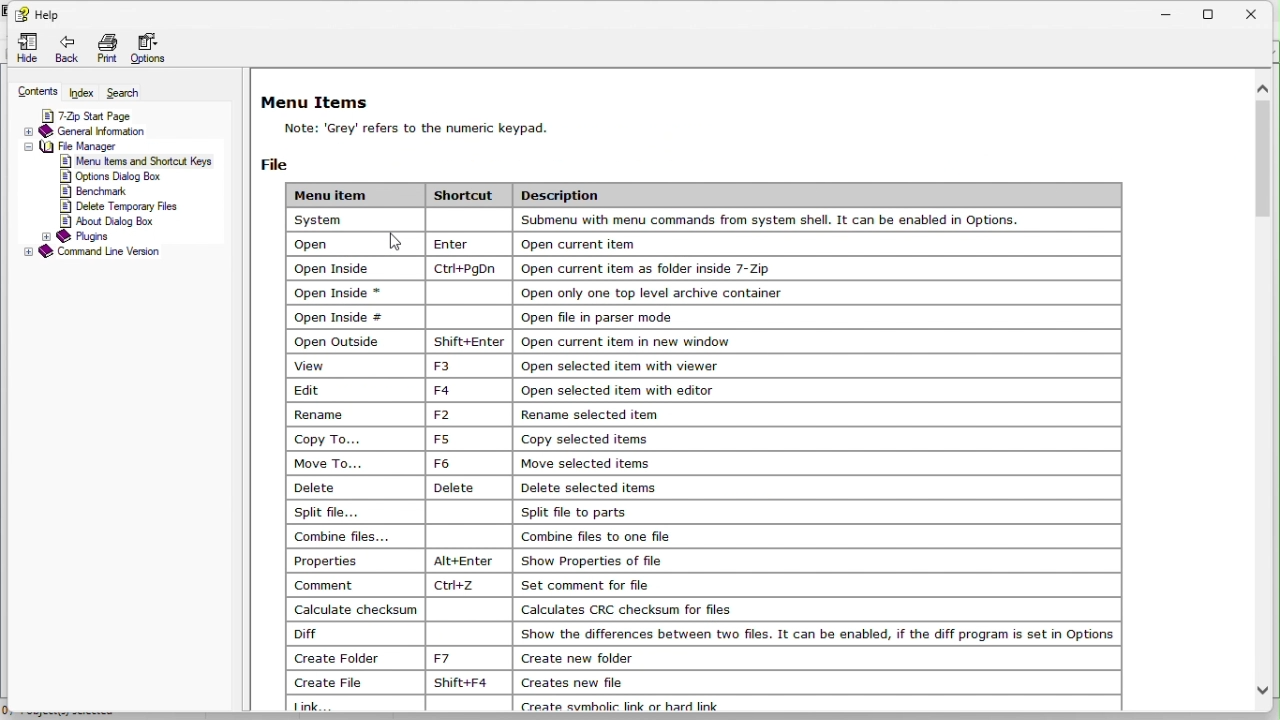  I want to click on Close, so click(1258, 12).